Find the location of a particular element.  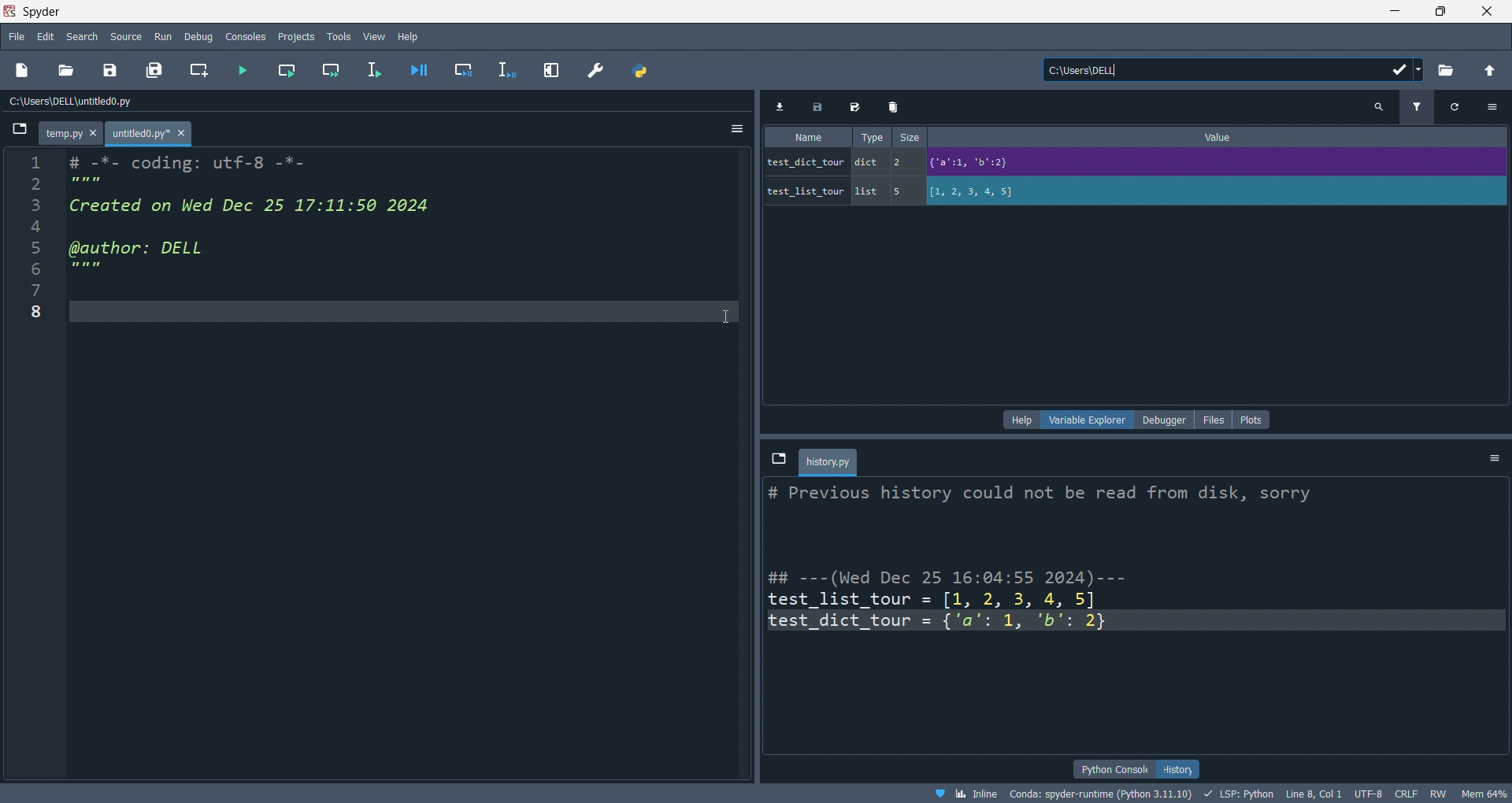

dict is located at coordinates (870, 165).